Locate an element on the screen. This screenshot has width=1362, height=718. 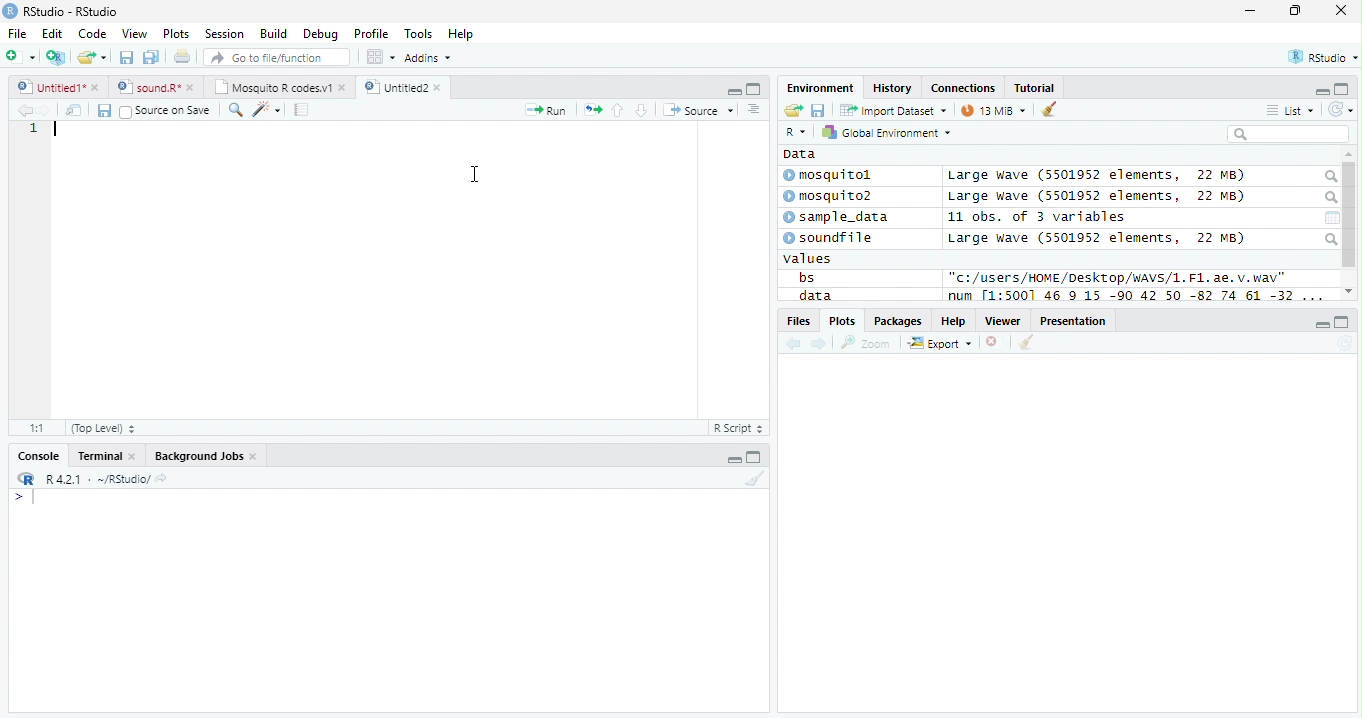
minimize is located at coordinates (1252, 10).